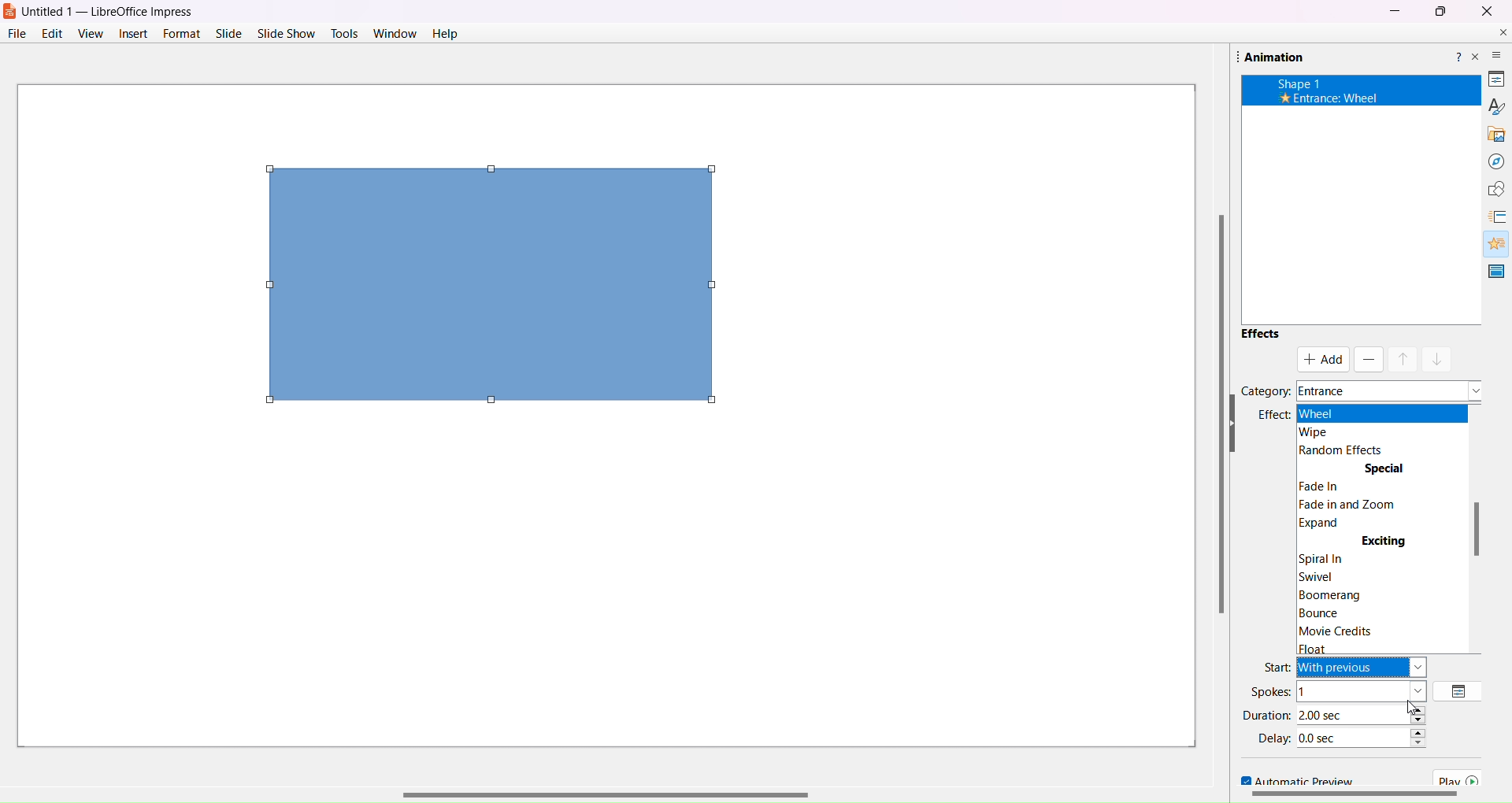  Describe the element at coordinates (1369, 668) in the screenshot. I see `Types of start` at that location.